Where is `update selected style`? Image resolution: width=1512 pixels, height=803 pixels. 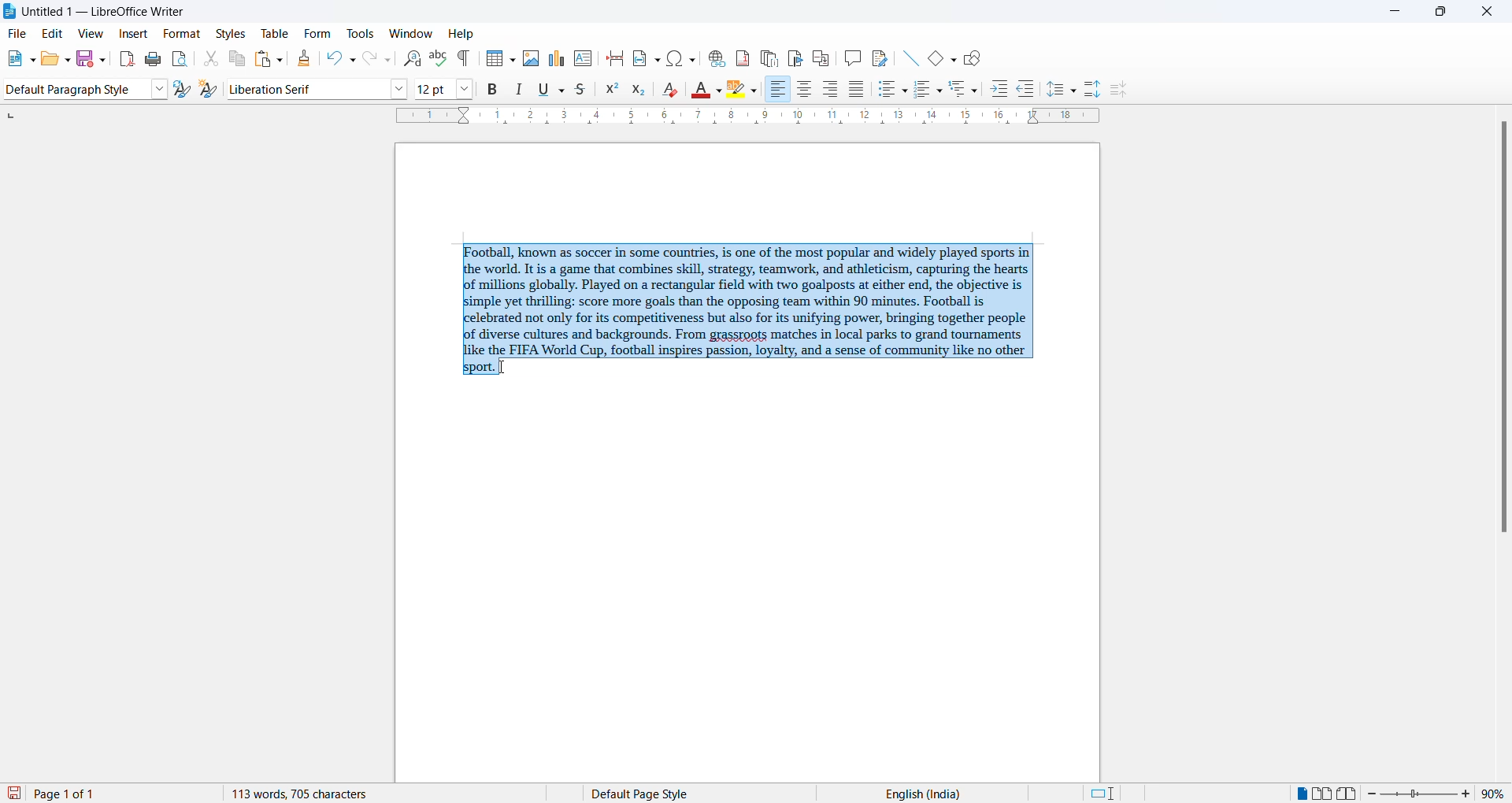 update selected style is located at coordinates (180, 89).